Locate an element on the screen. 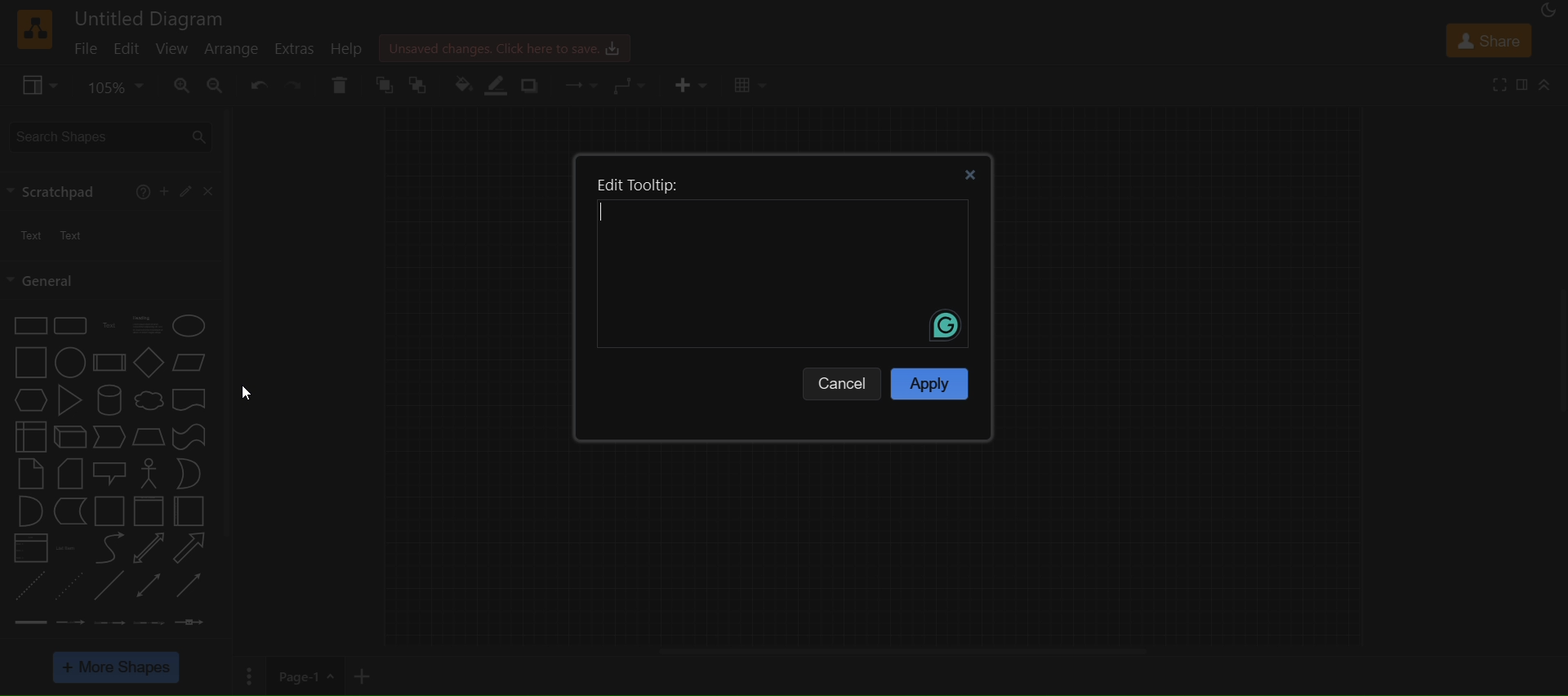  zoom in  is located at coordinates (183, 84).